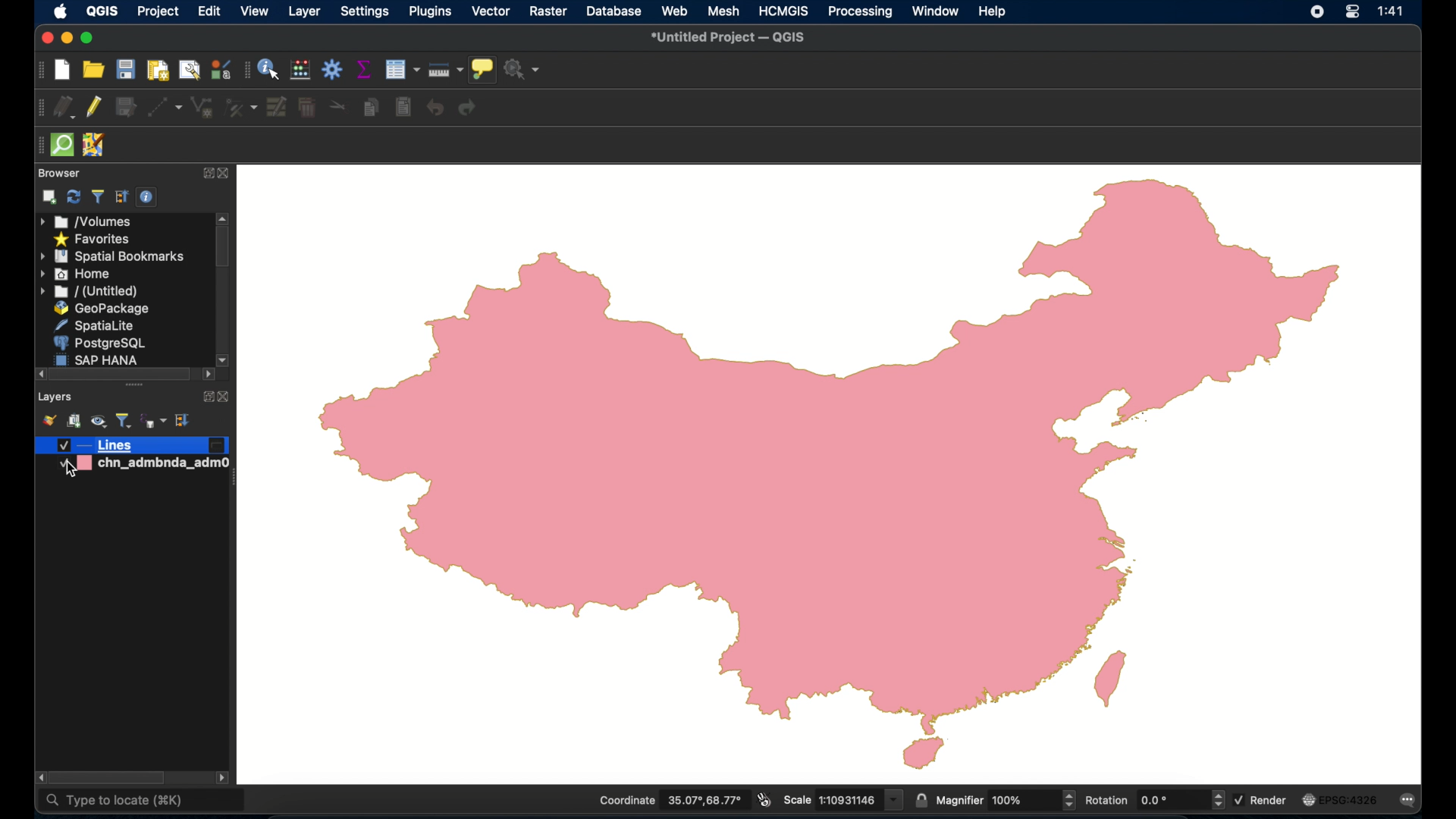 The height and width of the screenshot is (819, 1456). I want to click on plugins, so click(428, 11).